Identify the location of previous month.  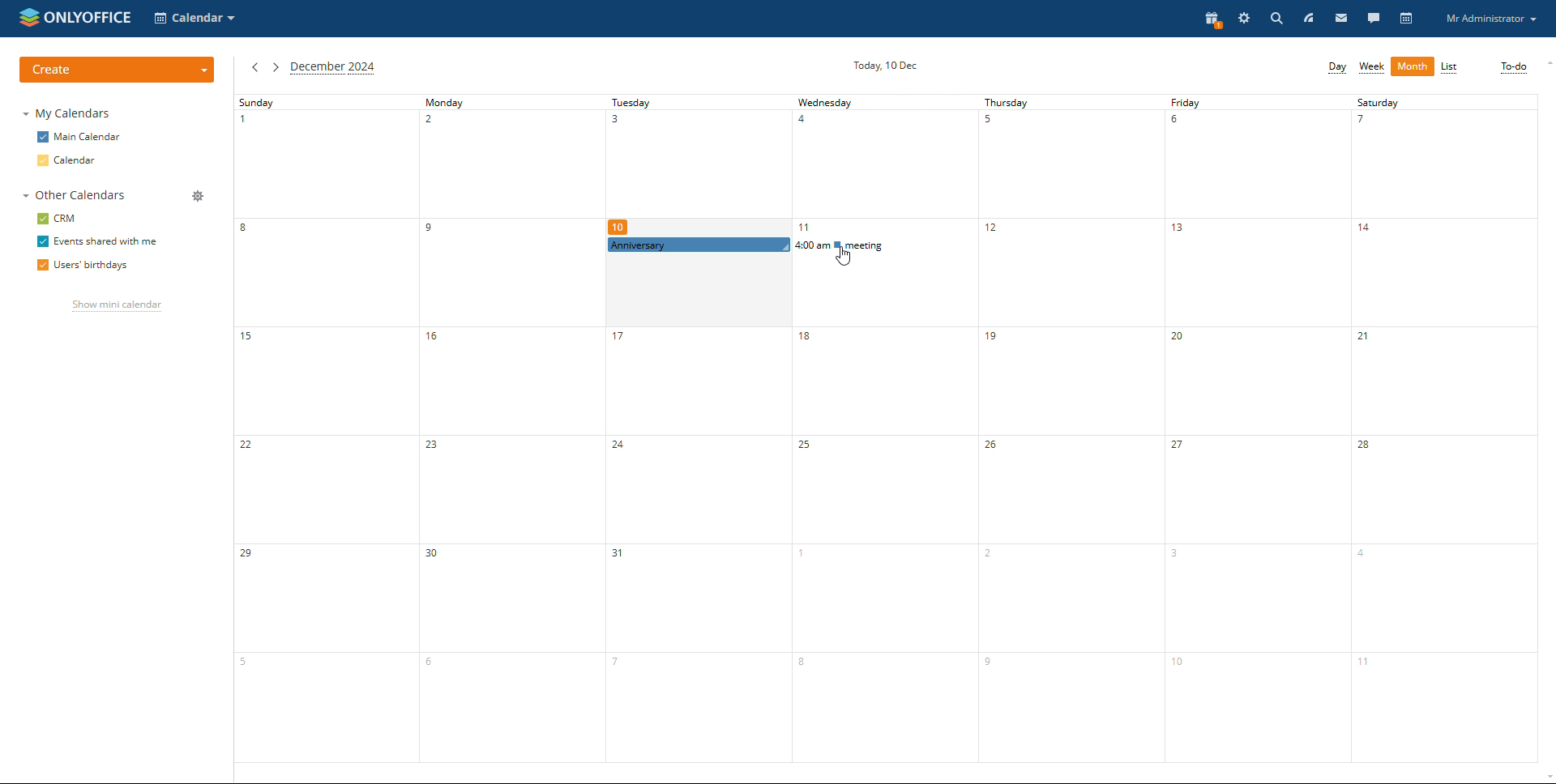
(254, 67).